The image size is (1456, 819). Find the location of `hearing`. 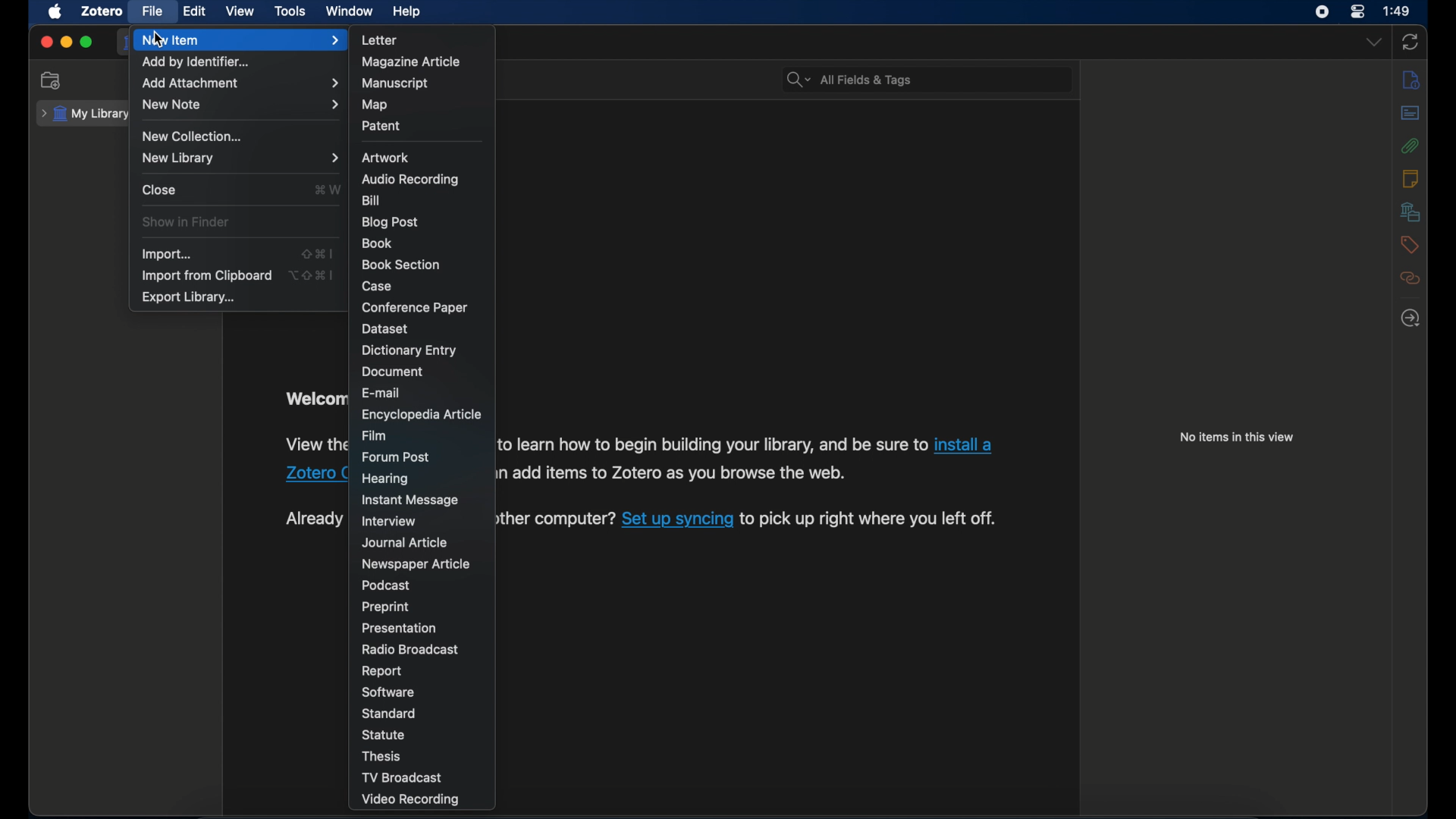

hearing is located at coordinates (385, 479).